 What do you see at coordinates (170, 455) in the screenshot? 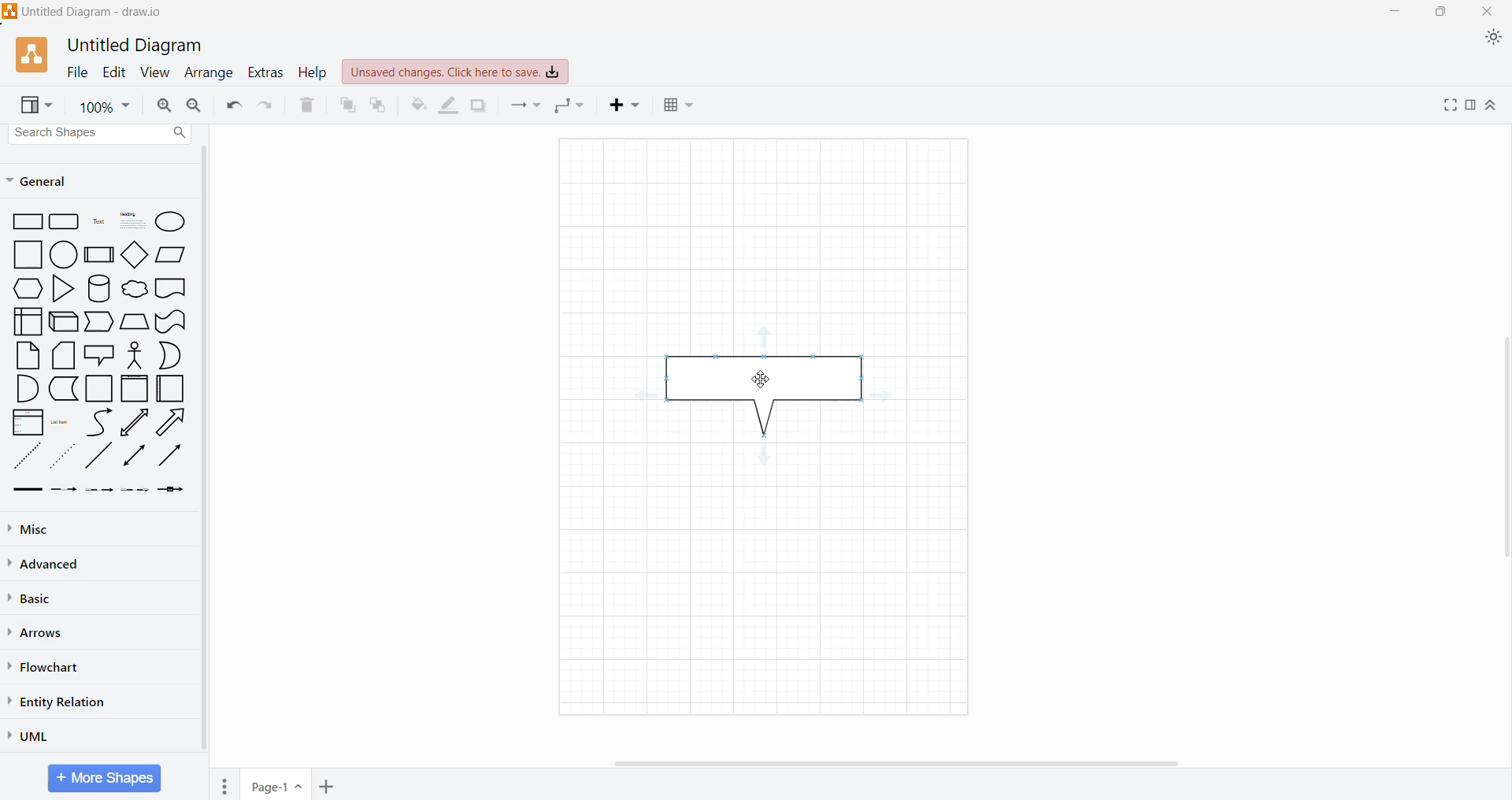
I see `Rightward Thick Arrow` at bounding box center [170, 455].